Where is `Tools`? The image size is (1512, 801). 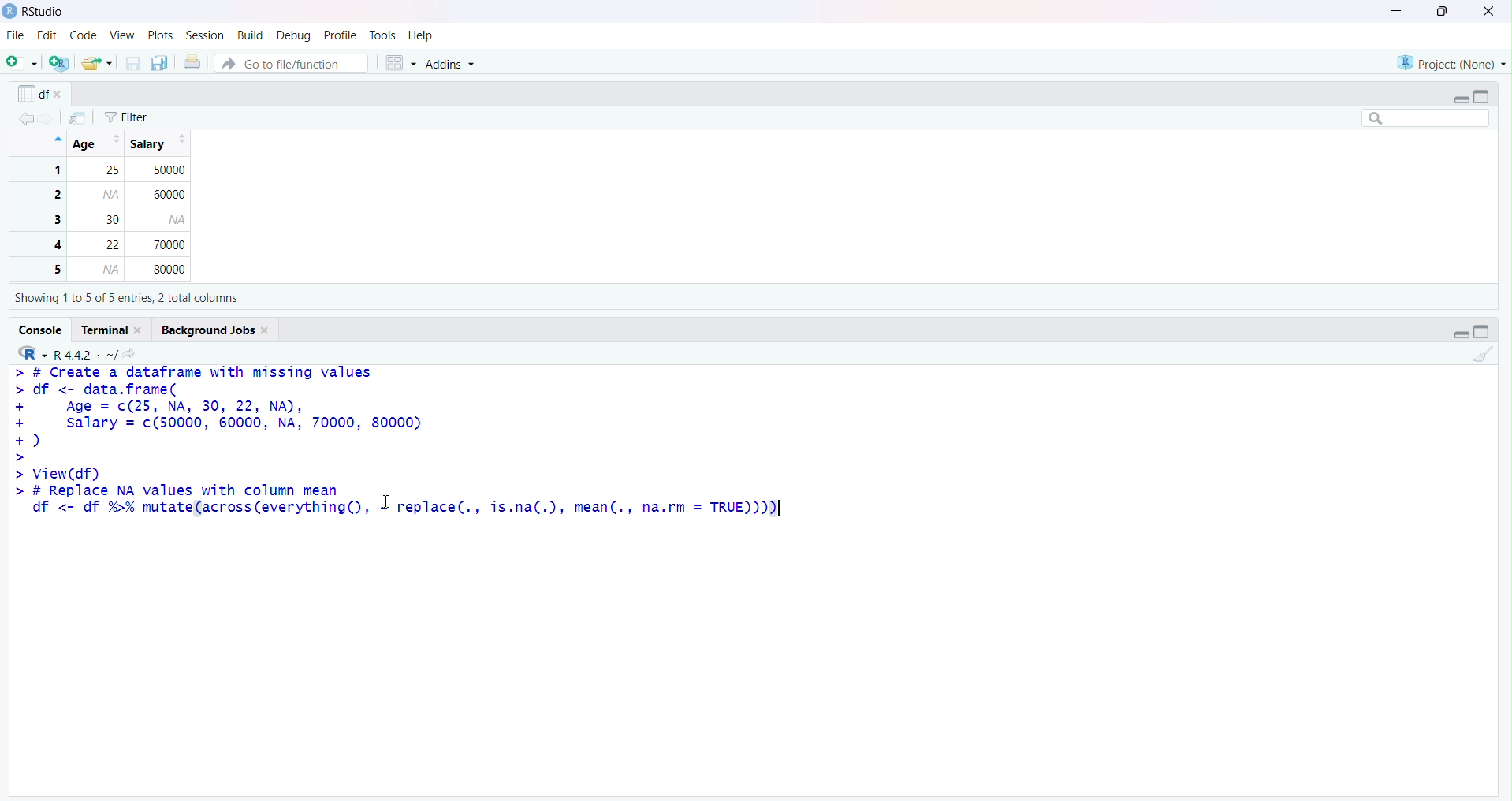
Tools is located at coordinates (384, 35).